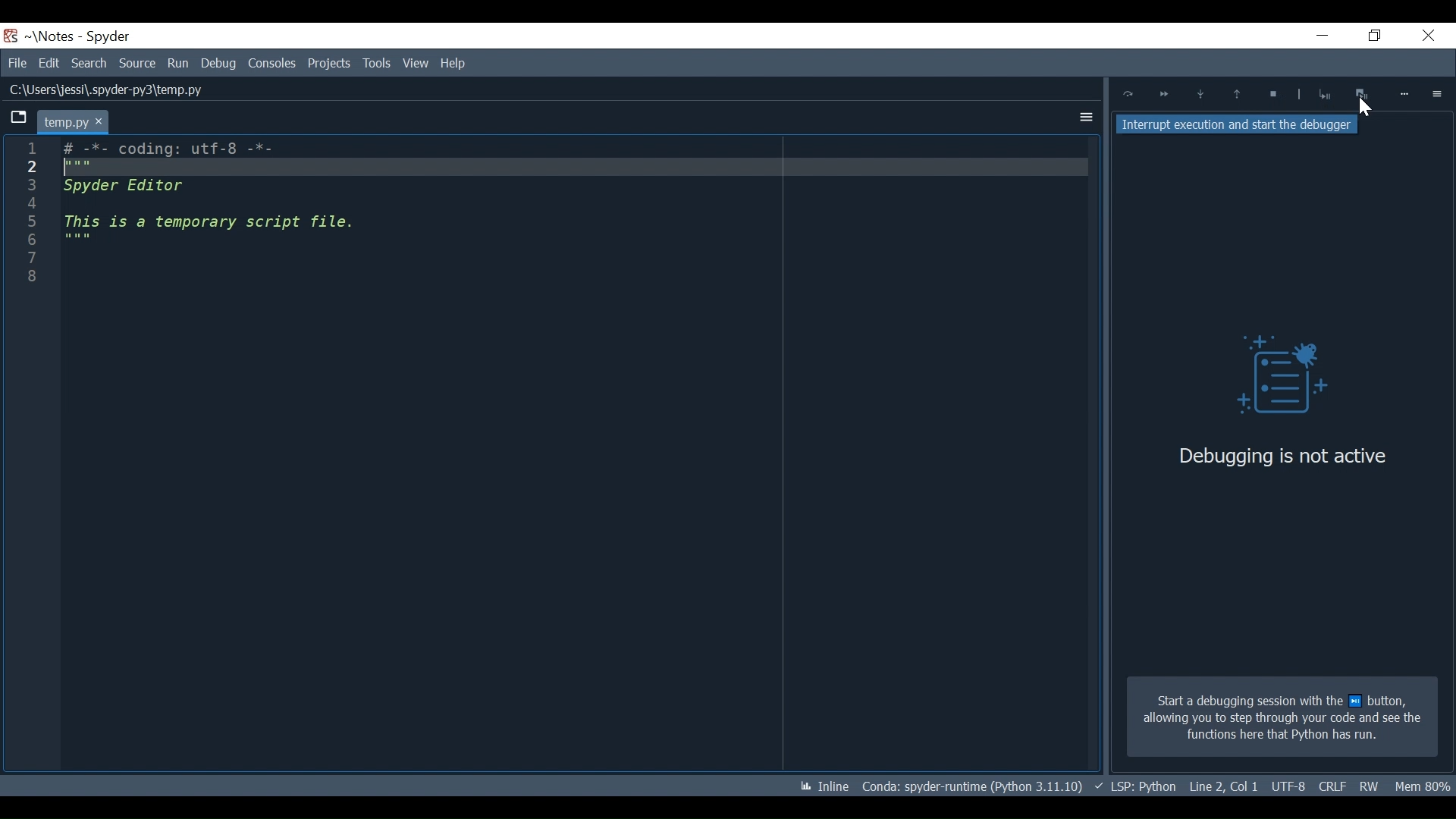 The height and width of the screenshot is (819, 1456). Describe the element at coordinates (1082, 115) in the screenshot. I see `More Options` at that location.